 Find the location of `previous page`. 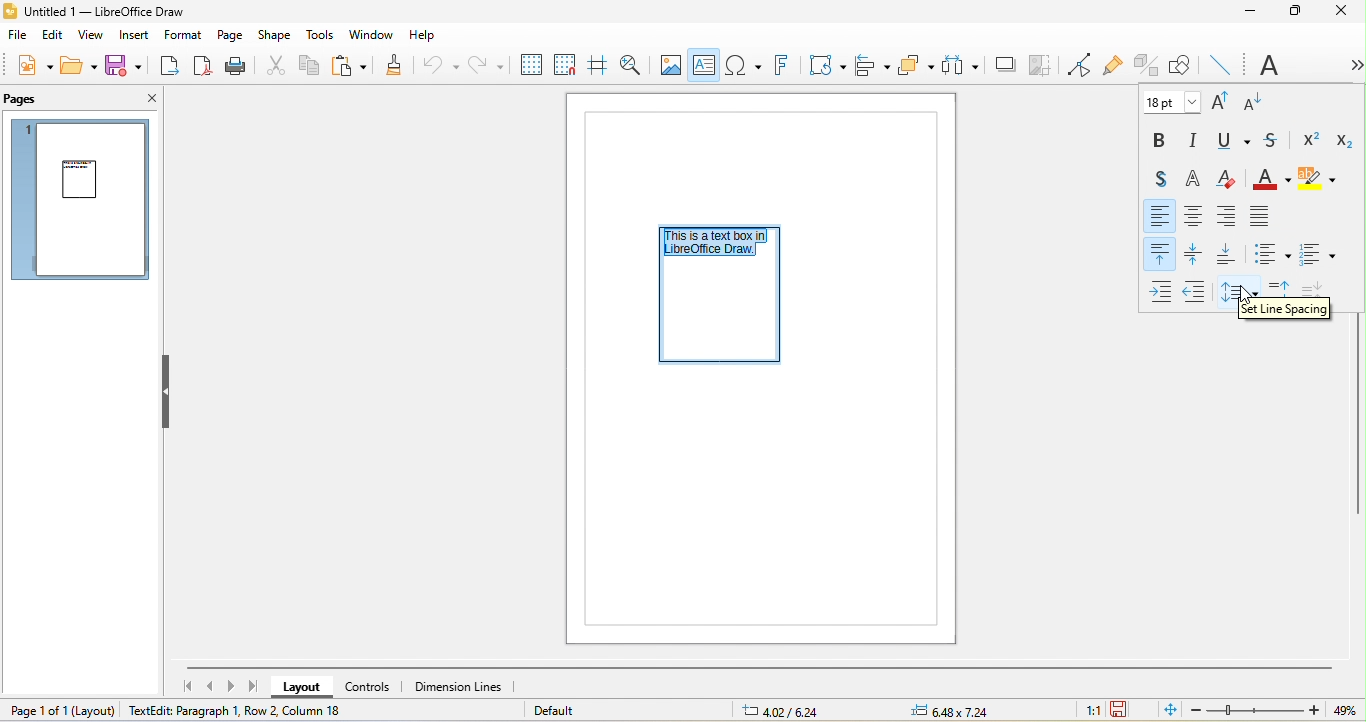

previous page is located at coordinates (209, 685).